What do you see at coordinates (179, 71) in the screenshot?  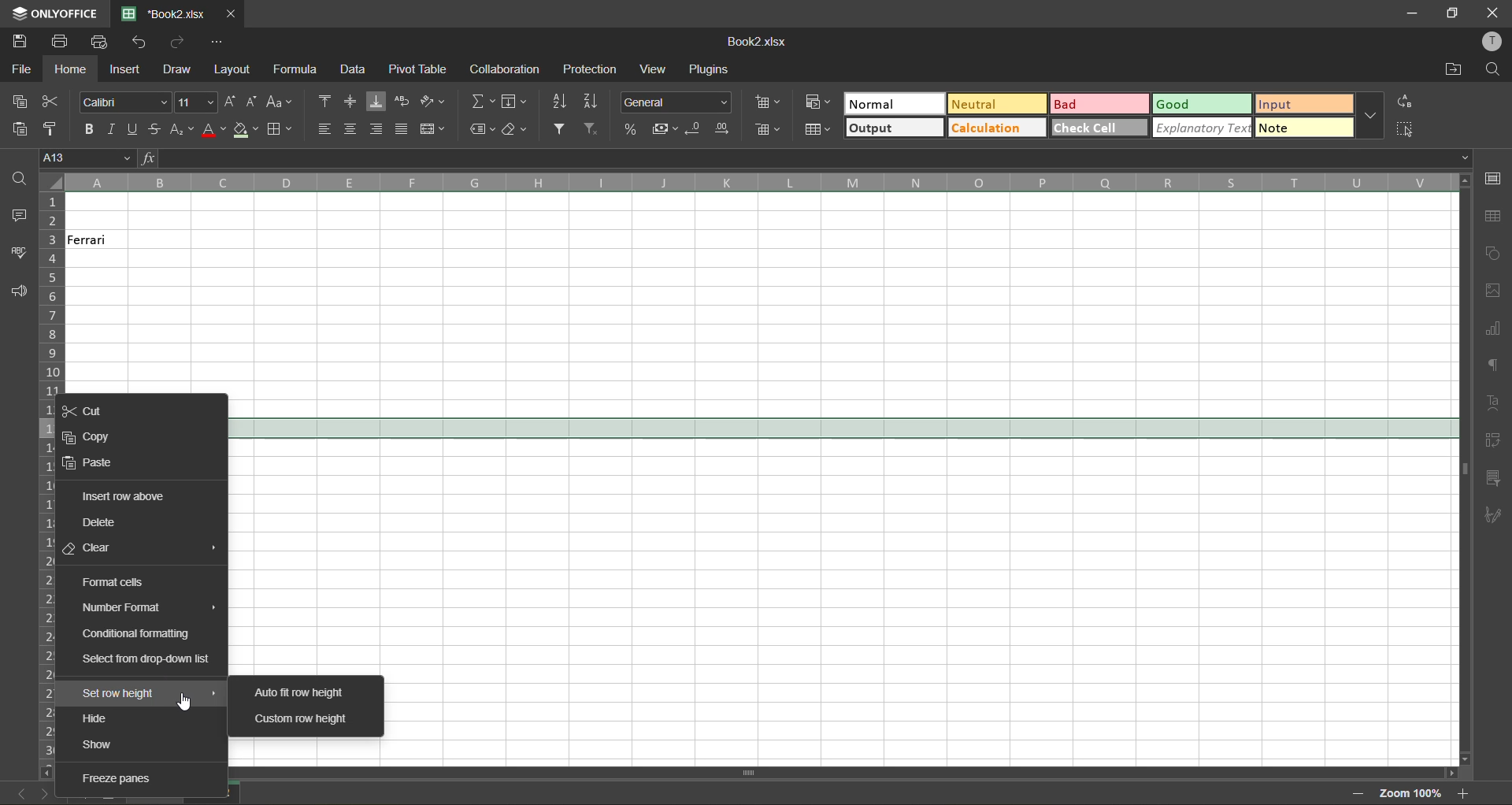 I see `draw` at bounding box center [179, 71].